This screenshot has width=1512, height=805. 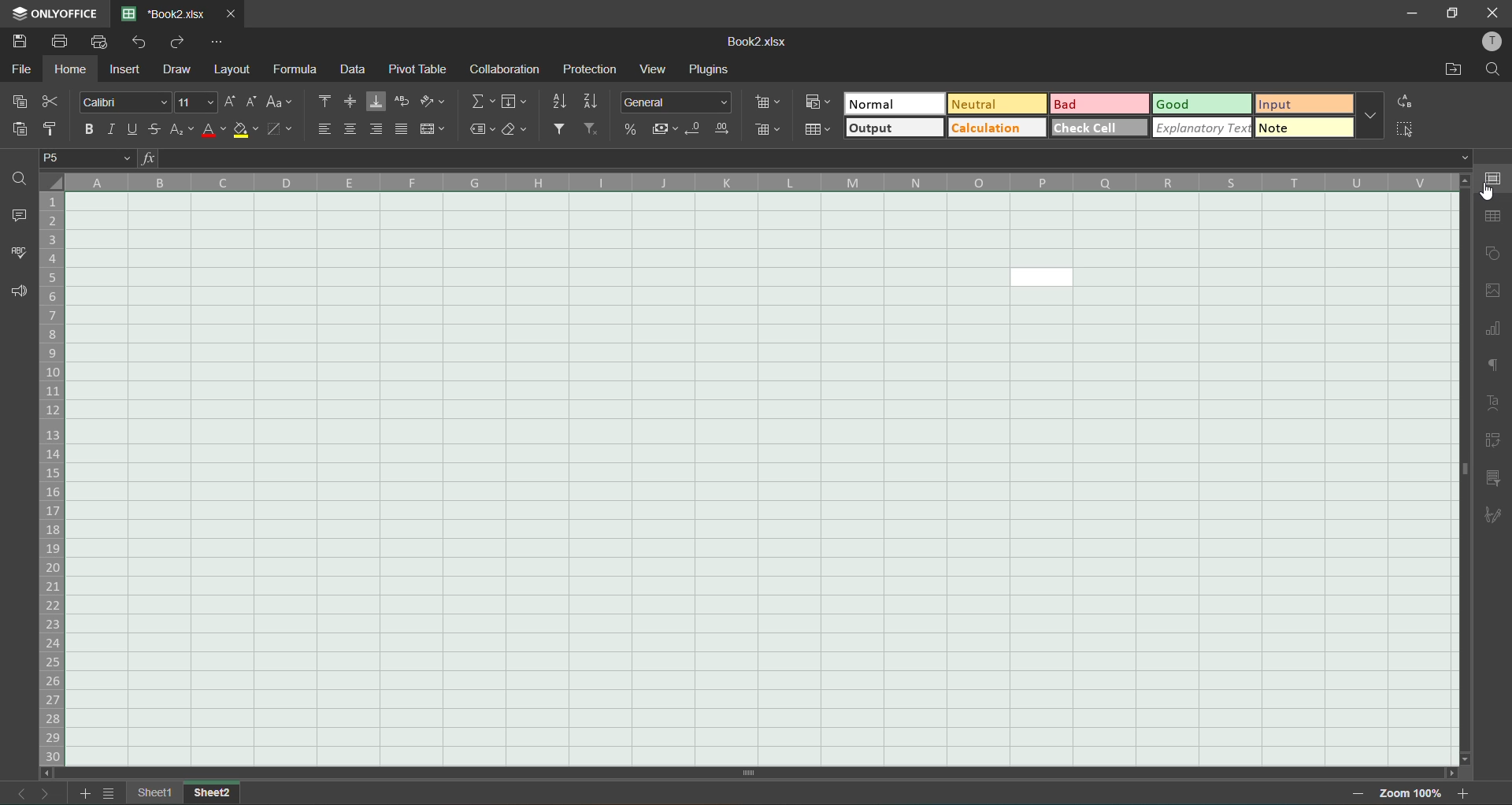 What do you see at coordinates (1366, 116) in the screenshot?
I see `more options` at bounding box center [1366, 116].